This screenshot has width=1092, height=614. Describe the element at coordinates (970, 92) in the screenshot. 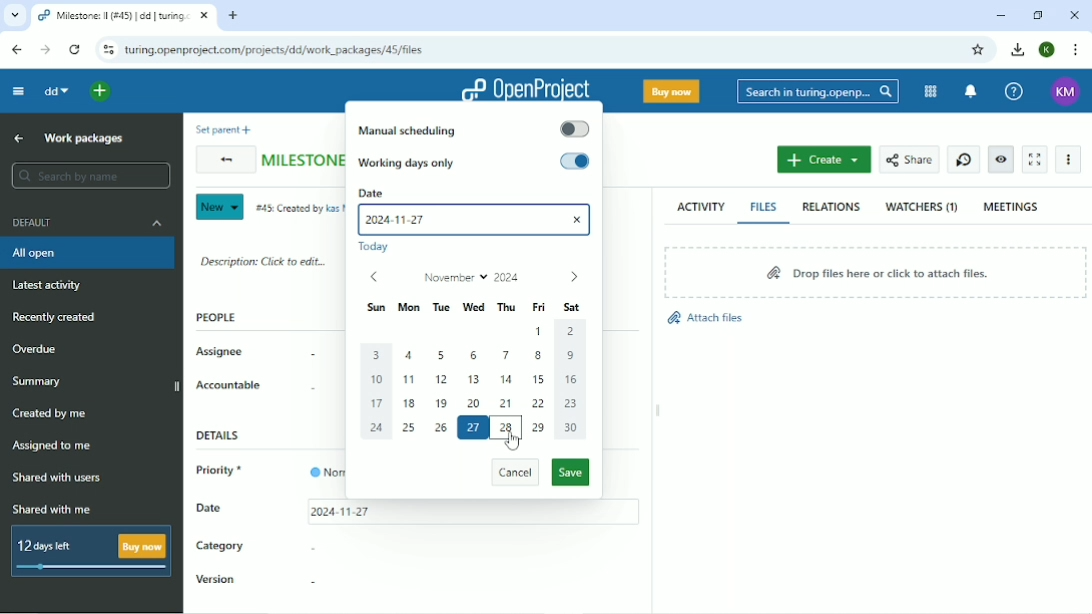

I see `To notification center` at that location.